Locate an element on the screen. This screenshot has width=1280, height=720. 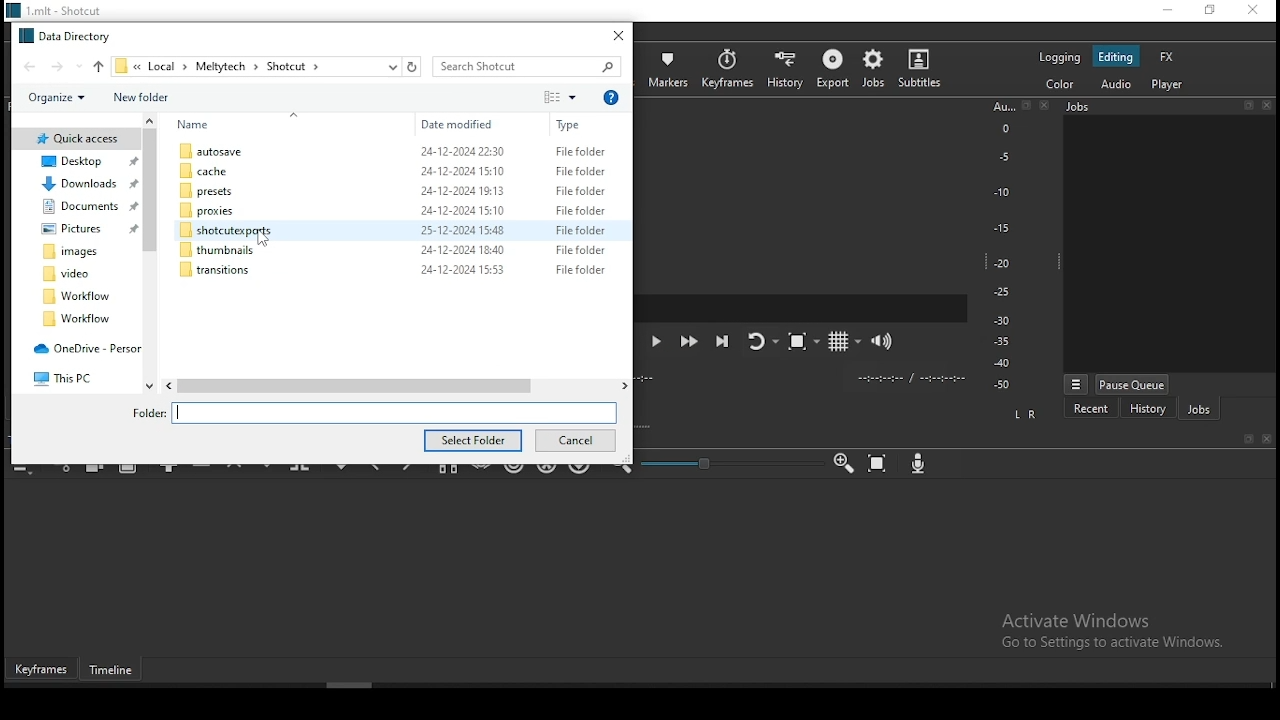
export is located at coordinates (831, 72).